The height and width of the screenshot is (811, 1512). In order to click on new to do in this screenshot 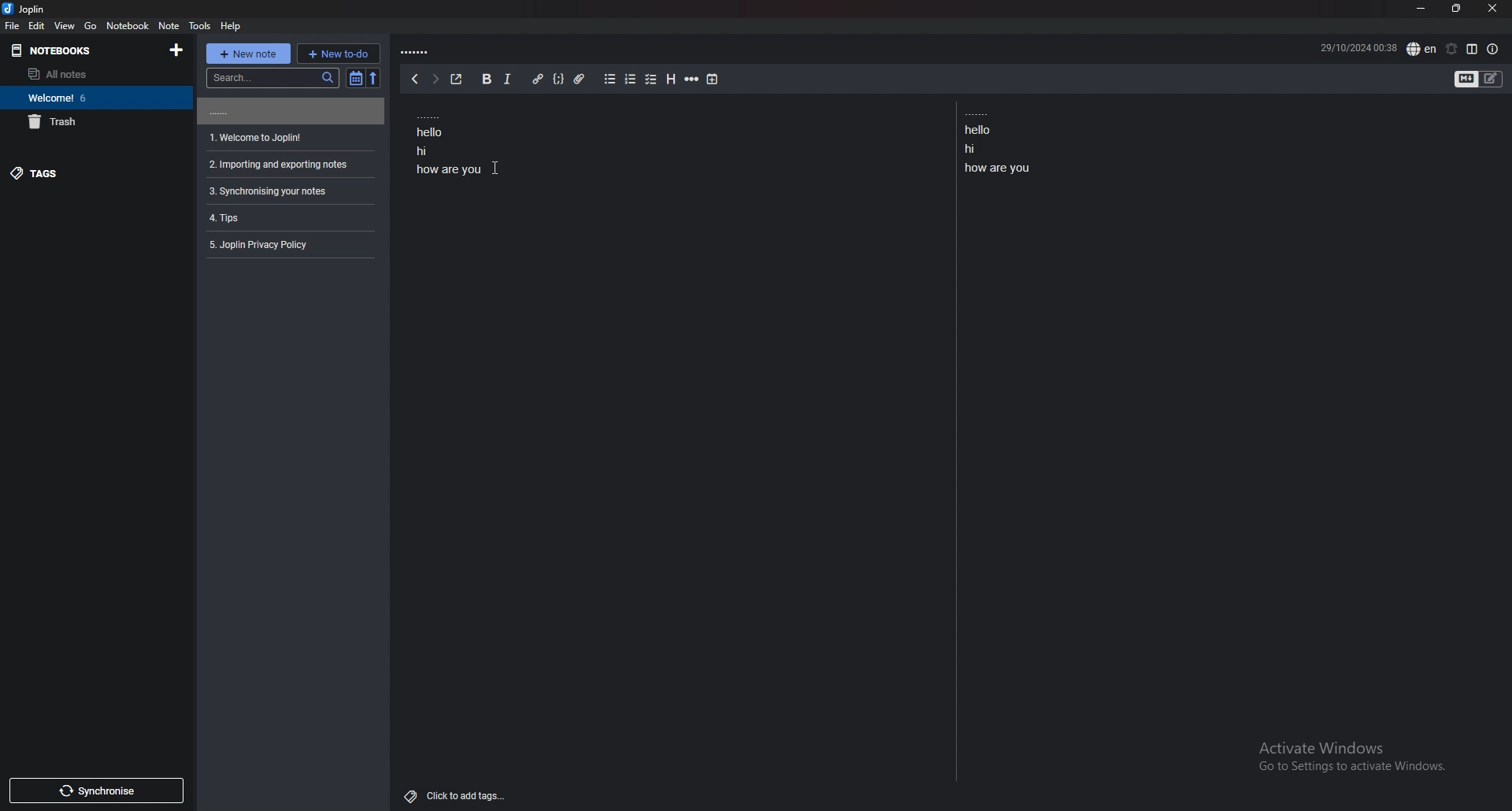, I will do `click(339, 54)`.